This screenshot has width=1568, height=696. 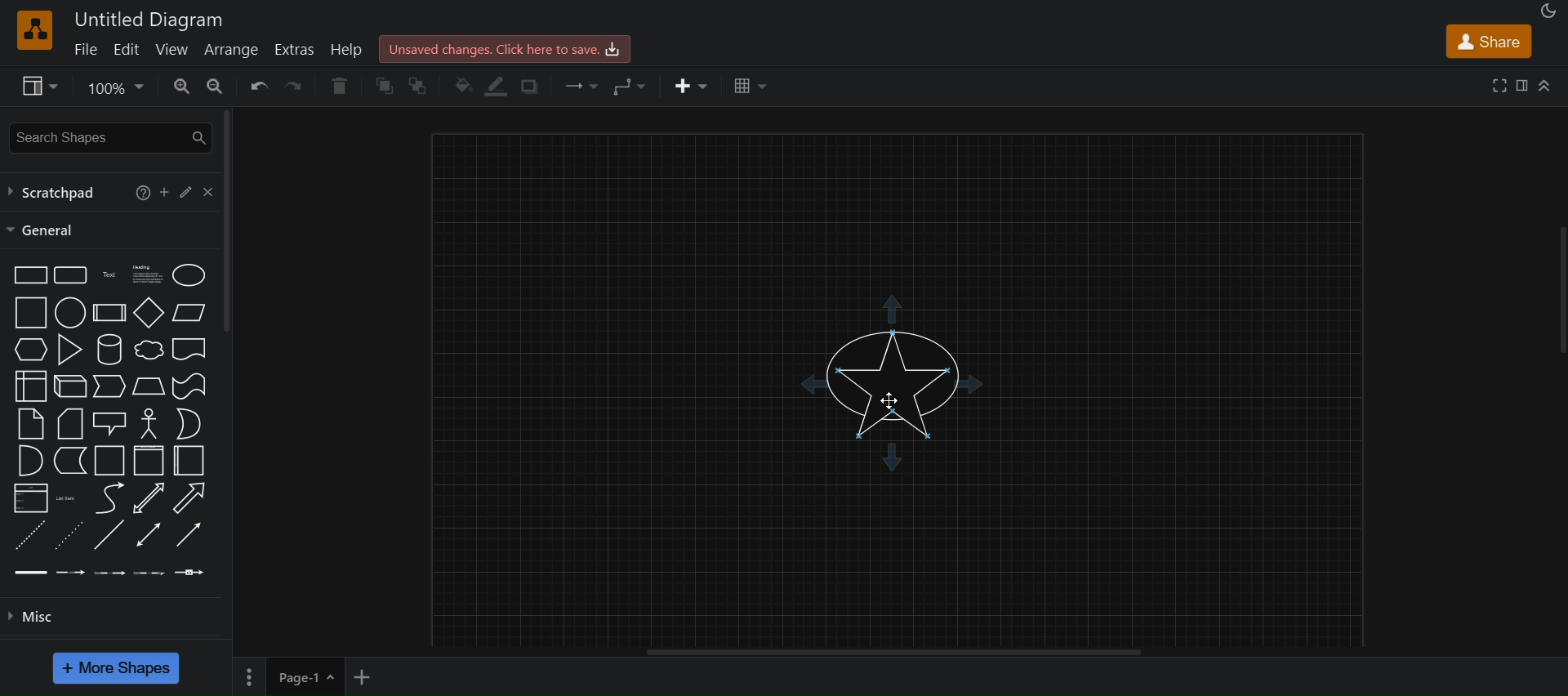 What do you see at coordinates (69, 573) in the screenshot?
I see `connector with lable` at bounding box center [69, 573].